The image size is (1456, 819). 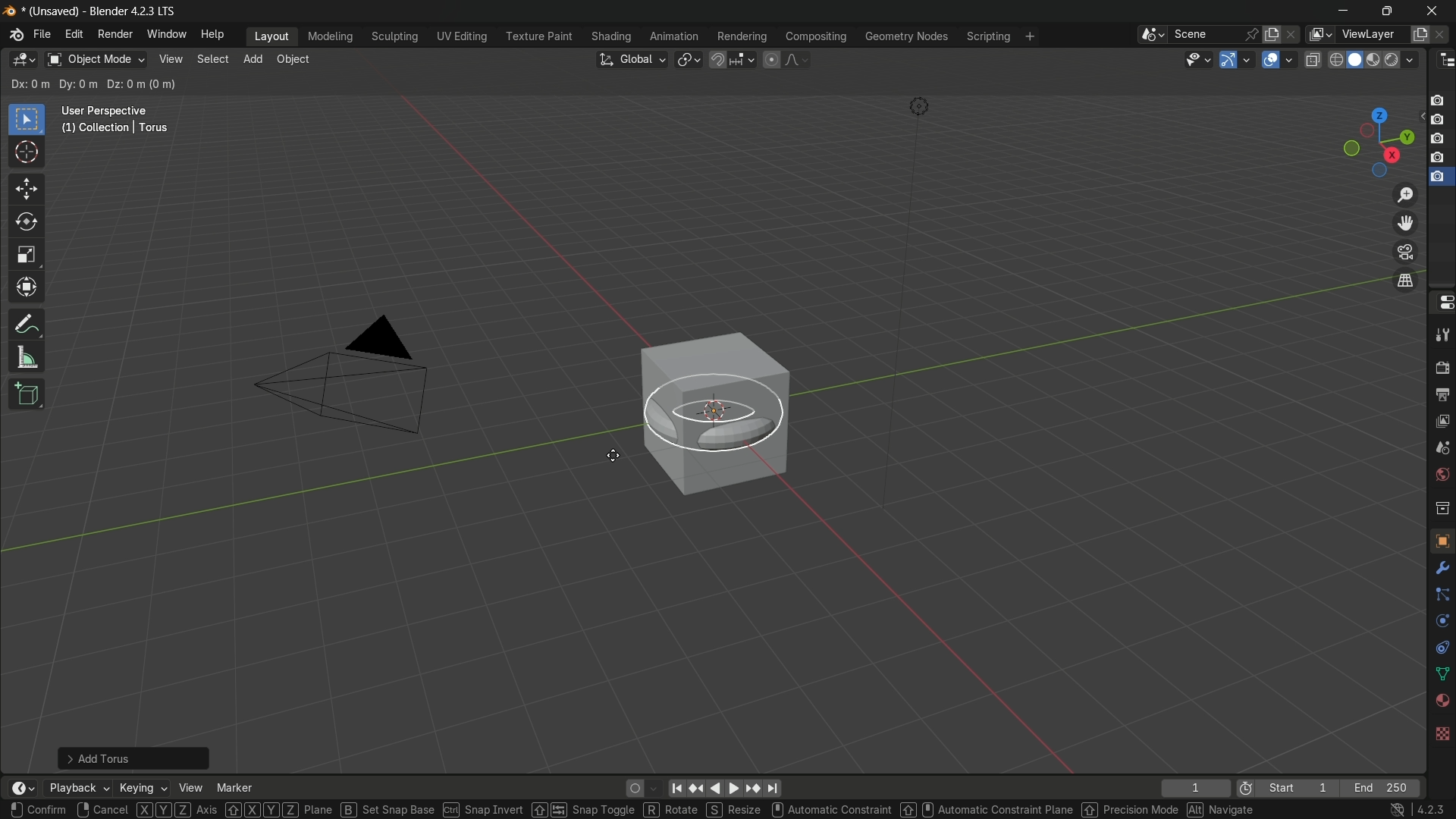 What do you see at coordinates (1420, 35) in the screenshot?
I see `add layer` at bounding box center [1420, 35].